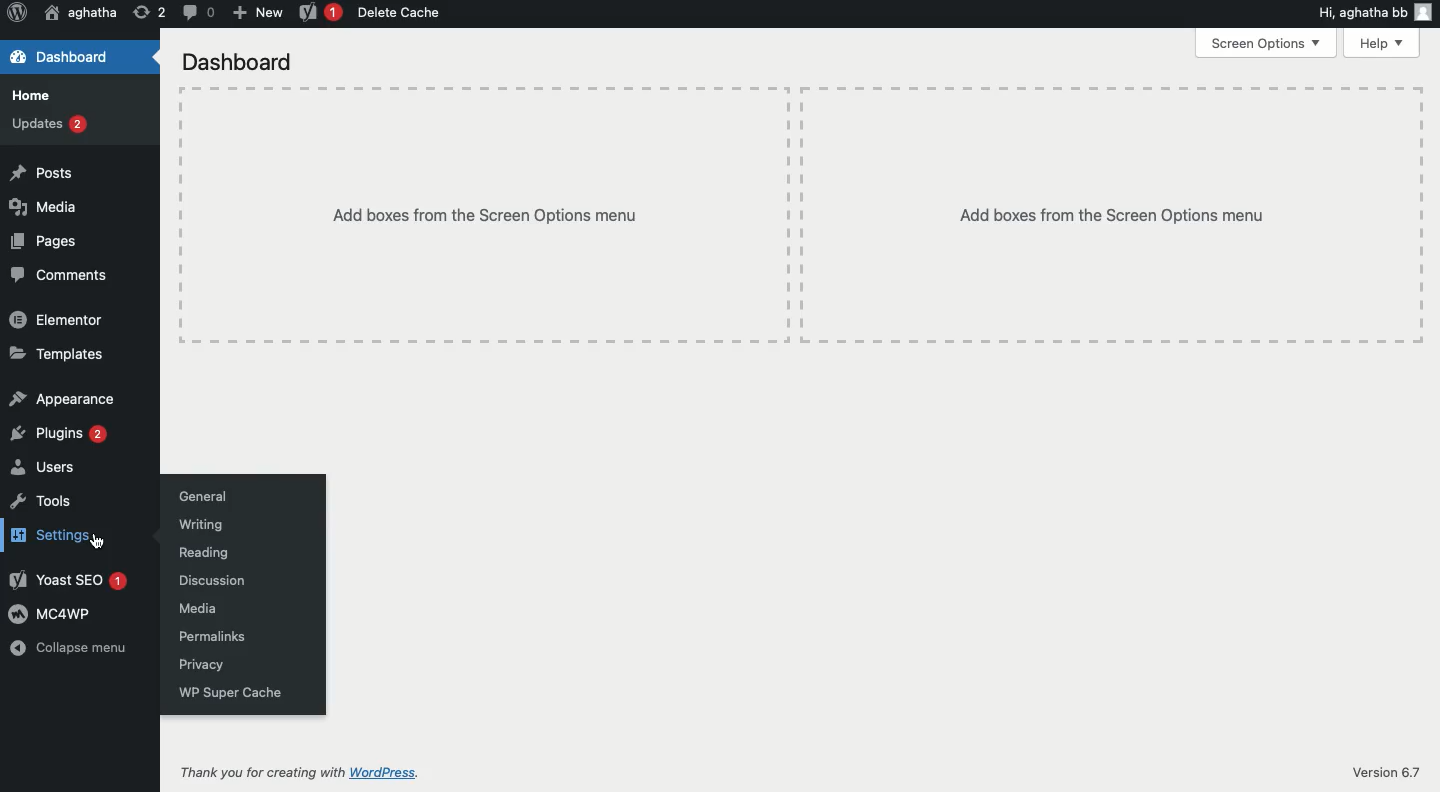  Describe the element at coordinates (203, 496) in the screenshot. I see `General` at that location.